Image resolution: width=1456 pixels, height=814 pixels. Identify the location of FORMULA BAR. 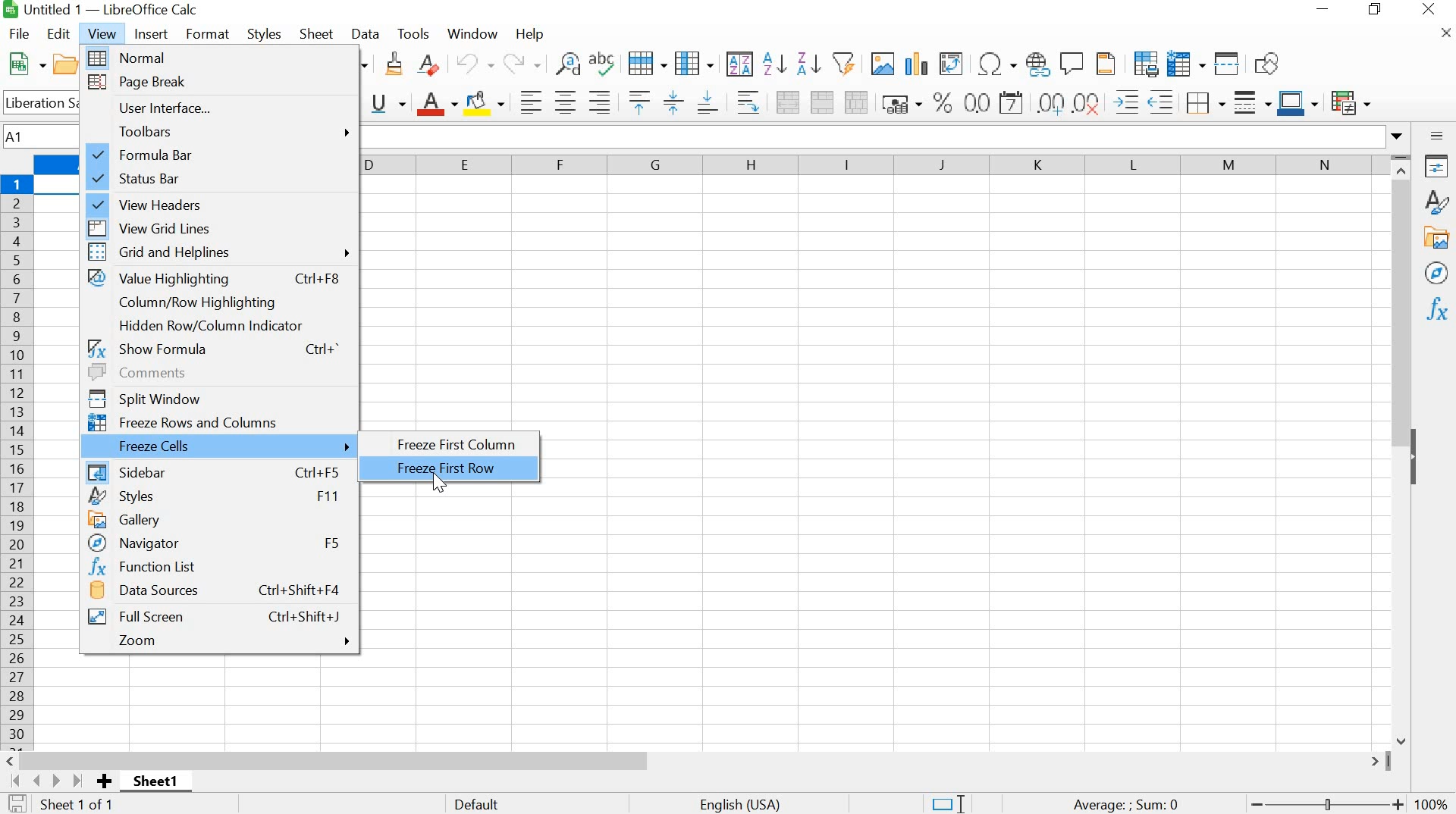
(222, 155).